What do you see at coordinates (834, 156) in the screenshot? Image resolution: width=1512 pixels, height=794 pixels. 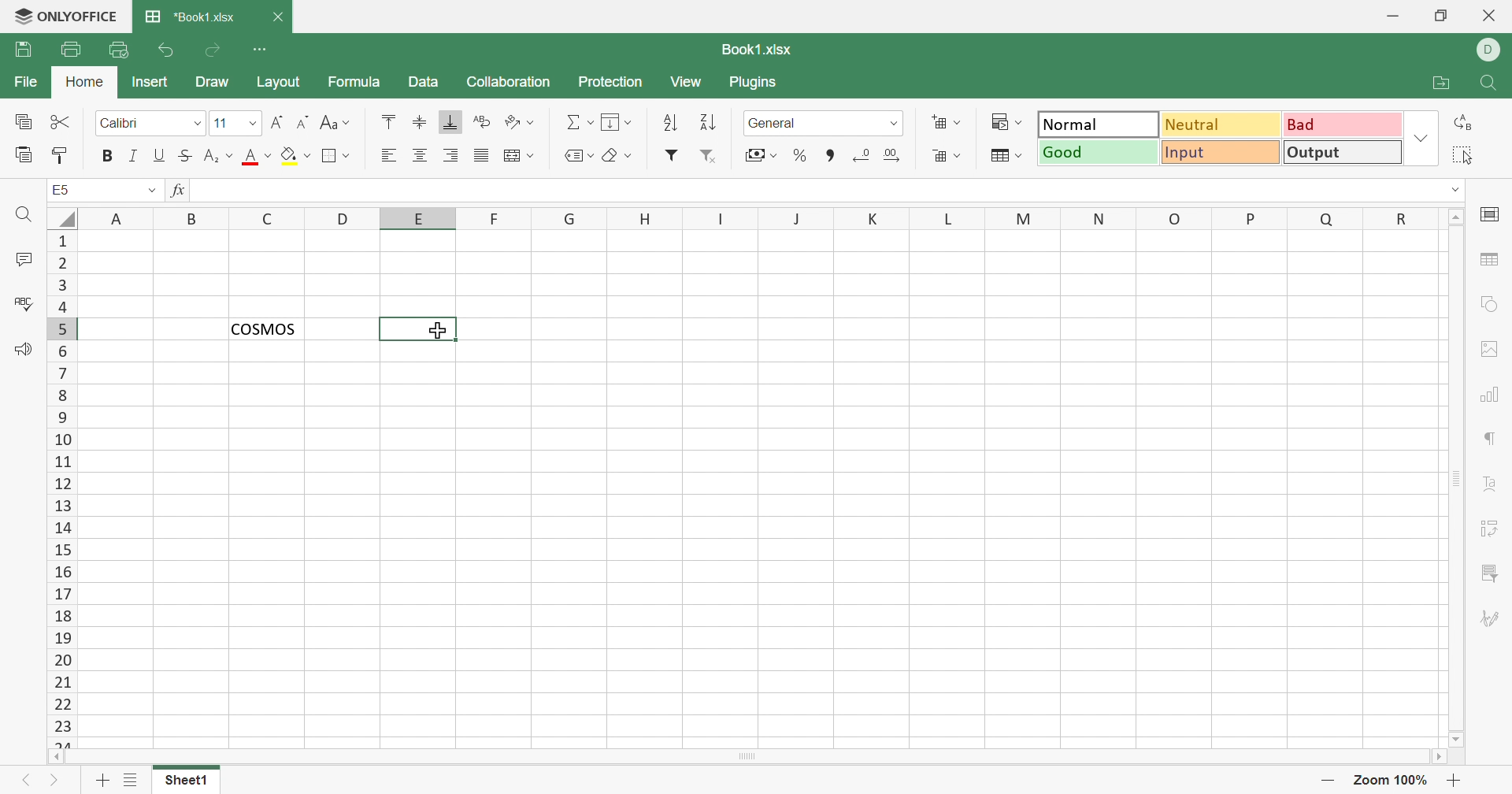 I see `Comma style` at bounding box center [834, 156].